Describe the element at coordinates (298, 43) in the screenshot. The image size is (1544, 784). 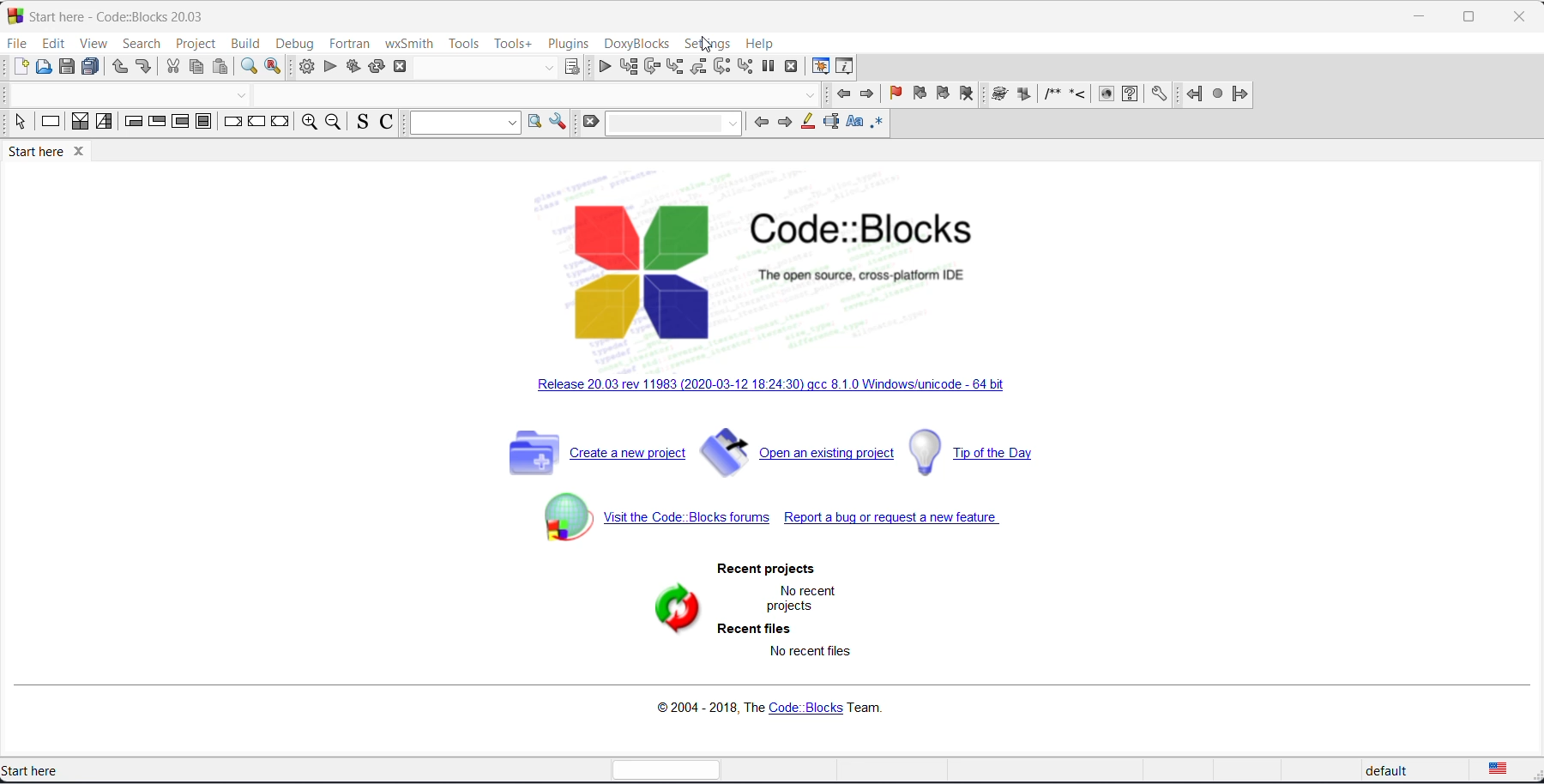
I see `debug` at that location.